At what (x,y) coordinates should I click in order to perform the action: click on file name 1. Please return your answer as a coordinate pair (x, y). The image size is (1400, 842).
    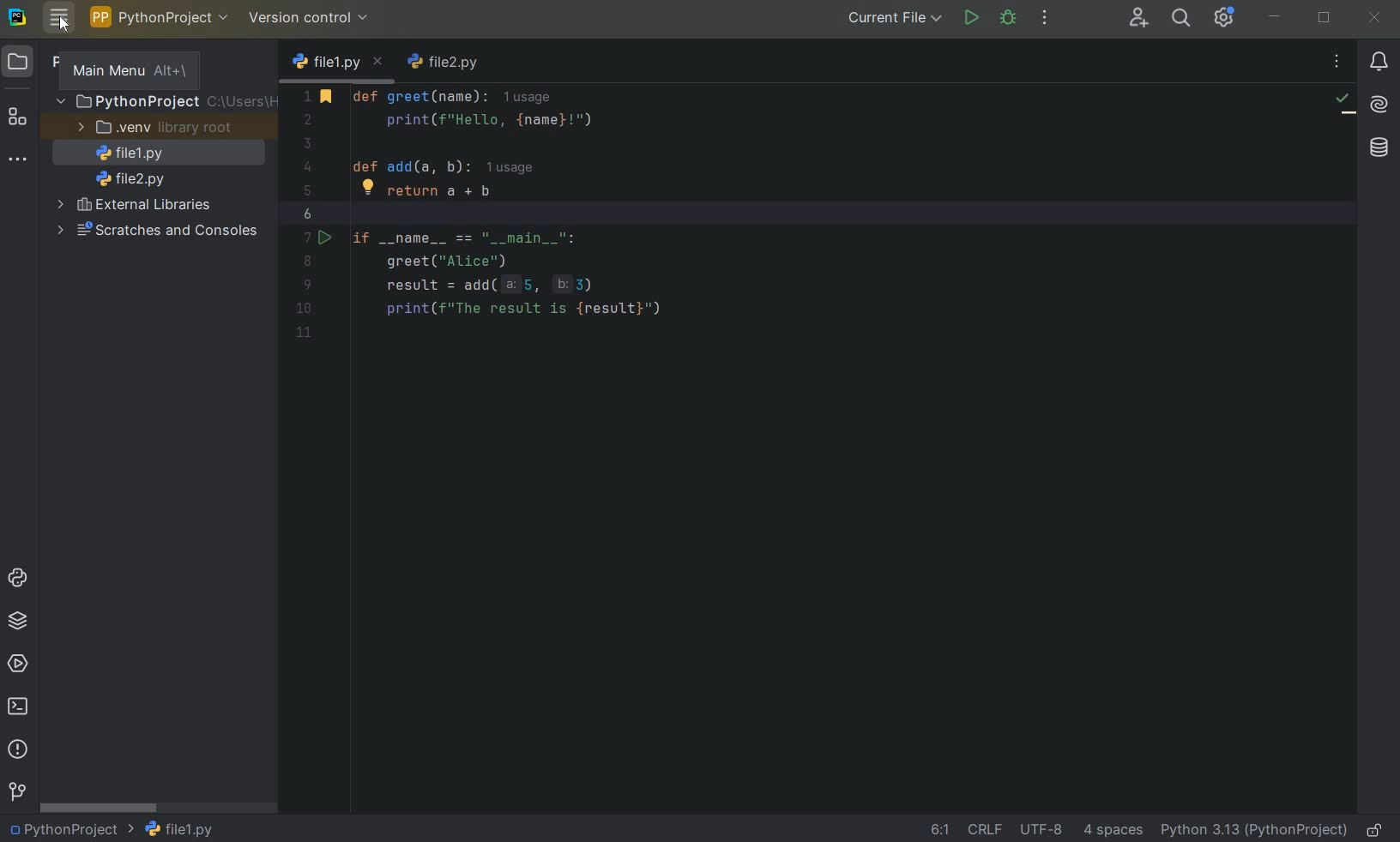
    Looking at the image, I should click on (179, 828).